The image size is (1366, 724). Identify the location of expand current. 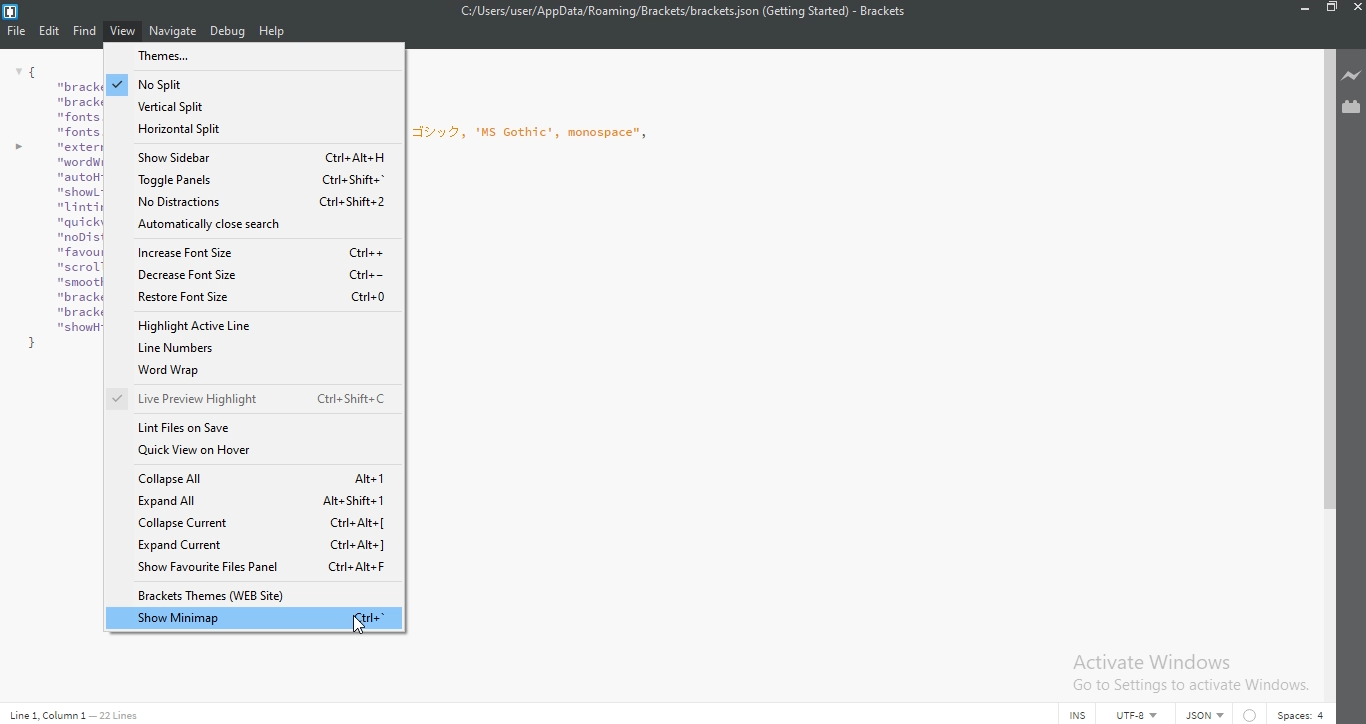
(256, 542).